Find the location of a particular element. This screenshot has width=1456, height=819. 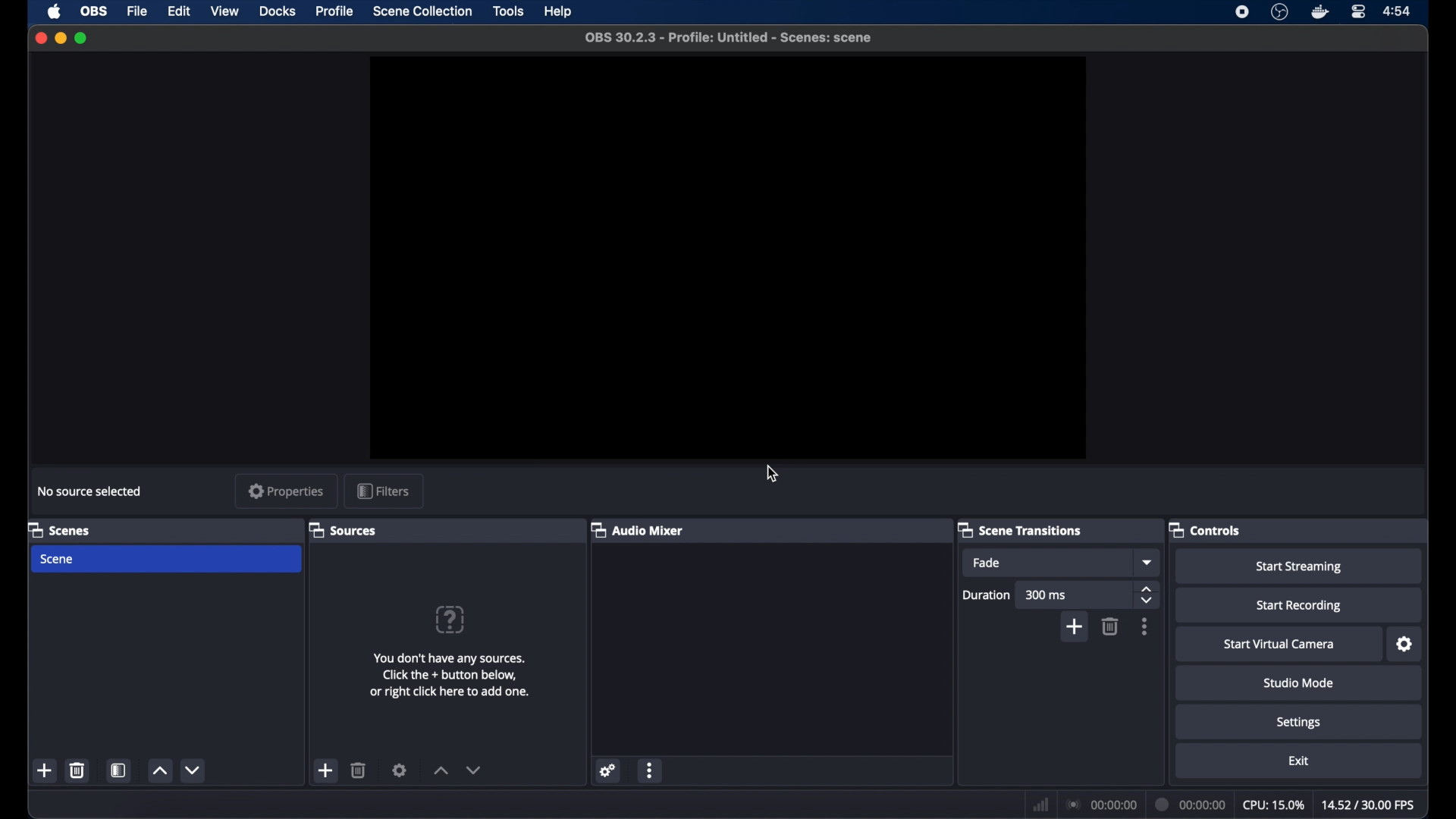

minimize is located at coordinates (61, 38).